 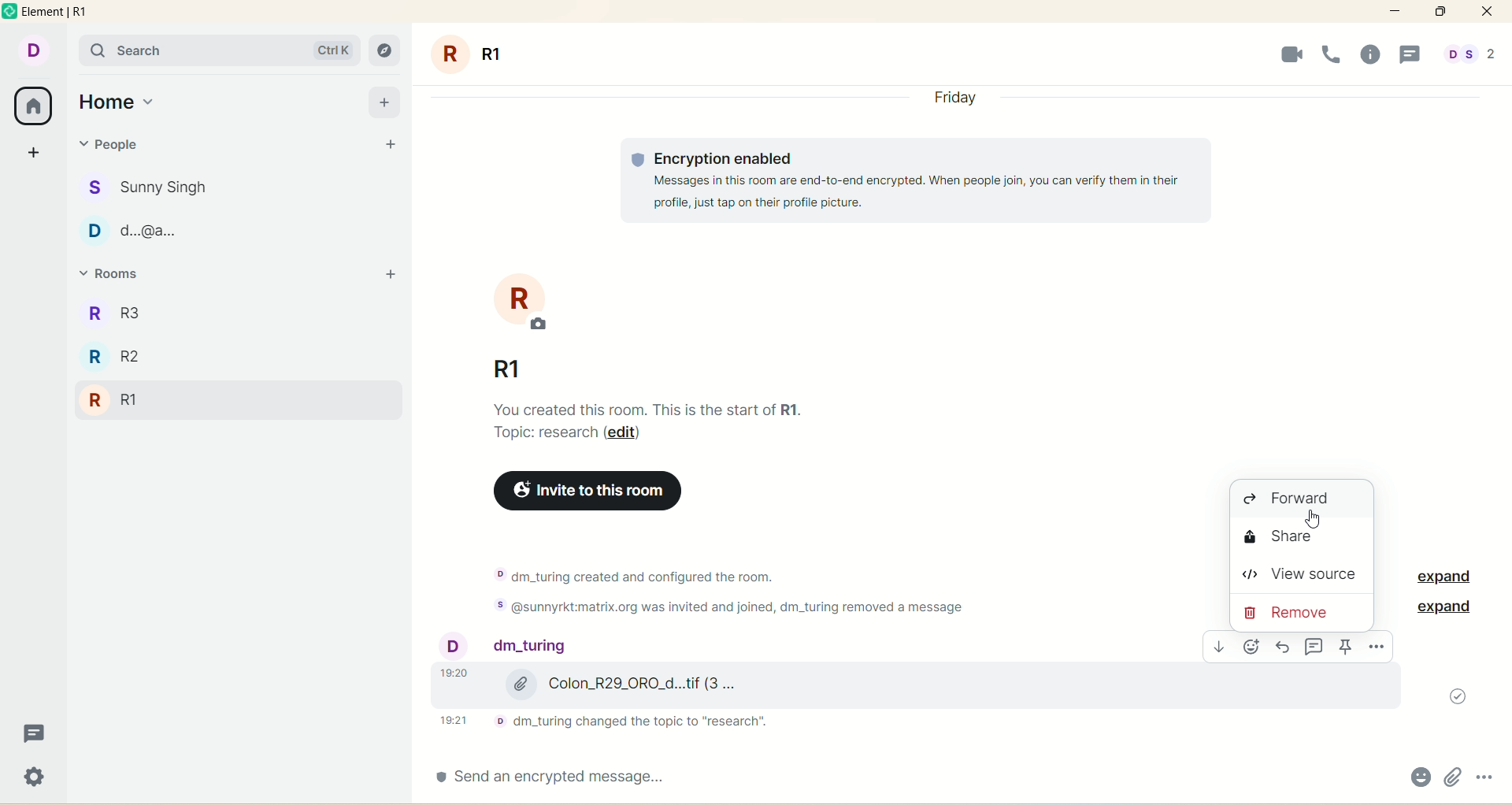 What do you see at coordinates (1440, 11) in the screenshot?
I see `maximize` at bounding box center [1440, 11].